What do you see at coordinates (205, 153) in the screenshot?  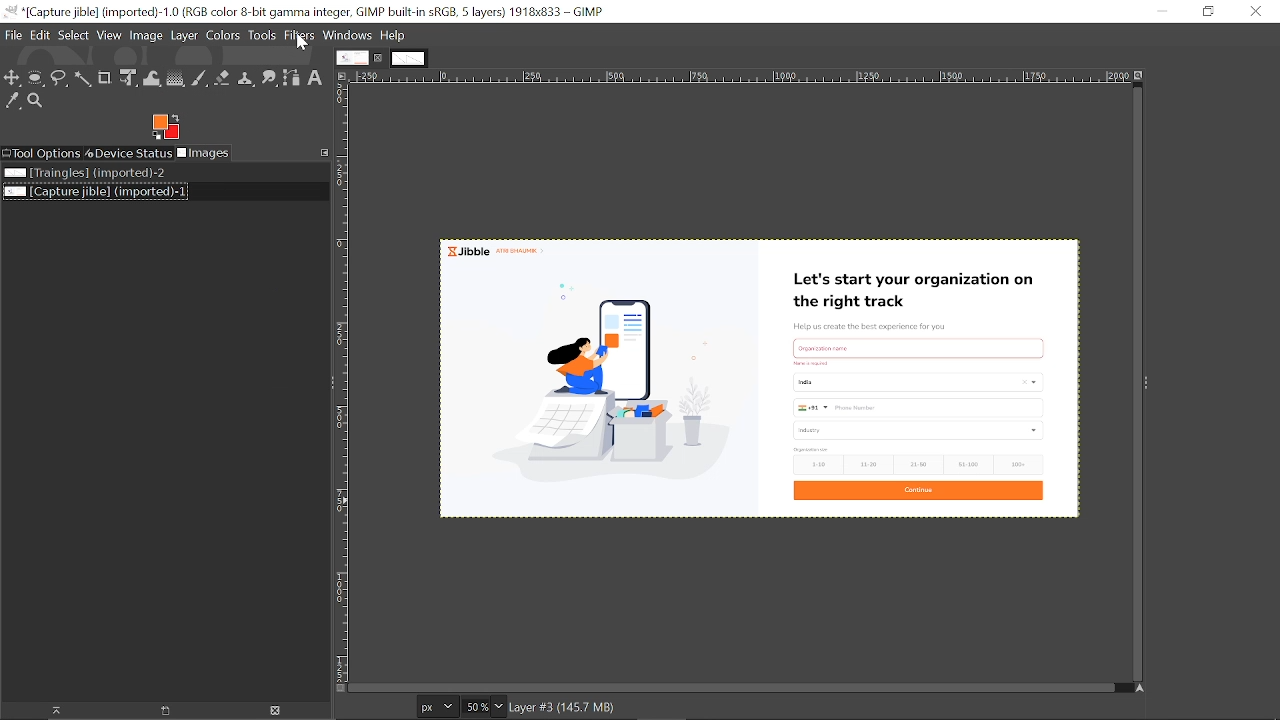 I see `Images` at bounding box center [205, 153].